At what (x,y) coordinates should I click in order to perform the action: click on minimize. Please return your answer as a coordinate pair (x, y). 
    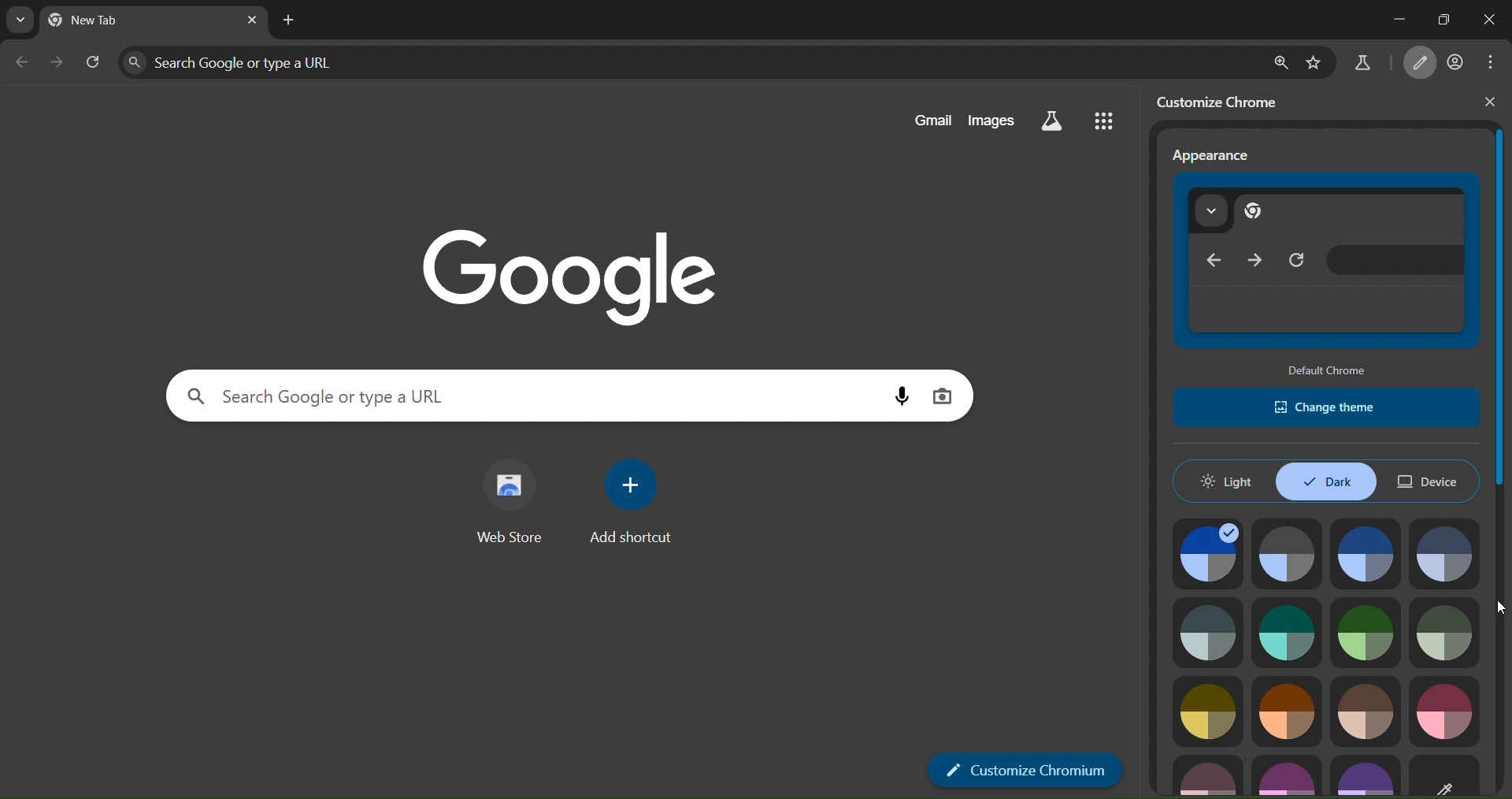
    Looking at the image, I should click on (1391, 18).